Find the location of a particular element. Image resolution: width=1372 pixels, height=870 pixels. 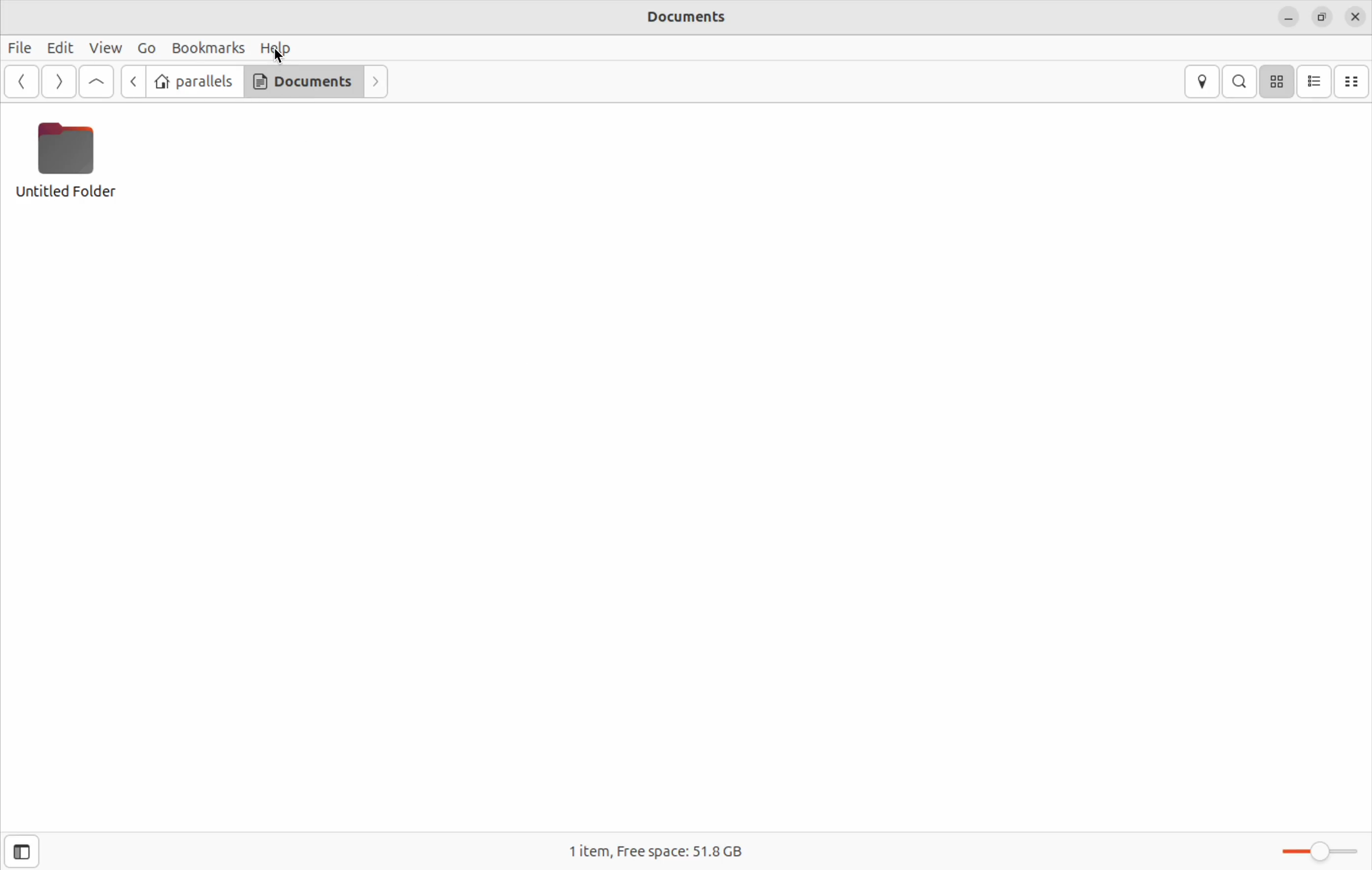

open sidebar is located at coordinates (21, 851).